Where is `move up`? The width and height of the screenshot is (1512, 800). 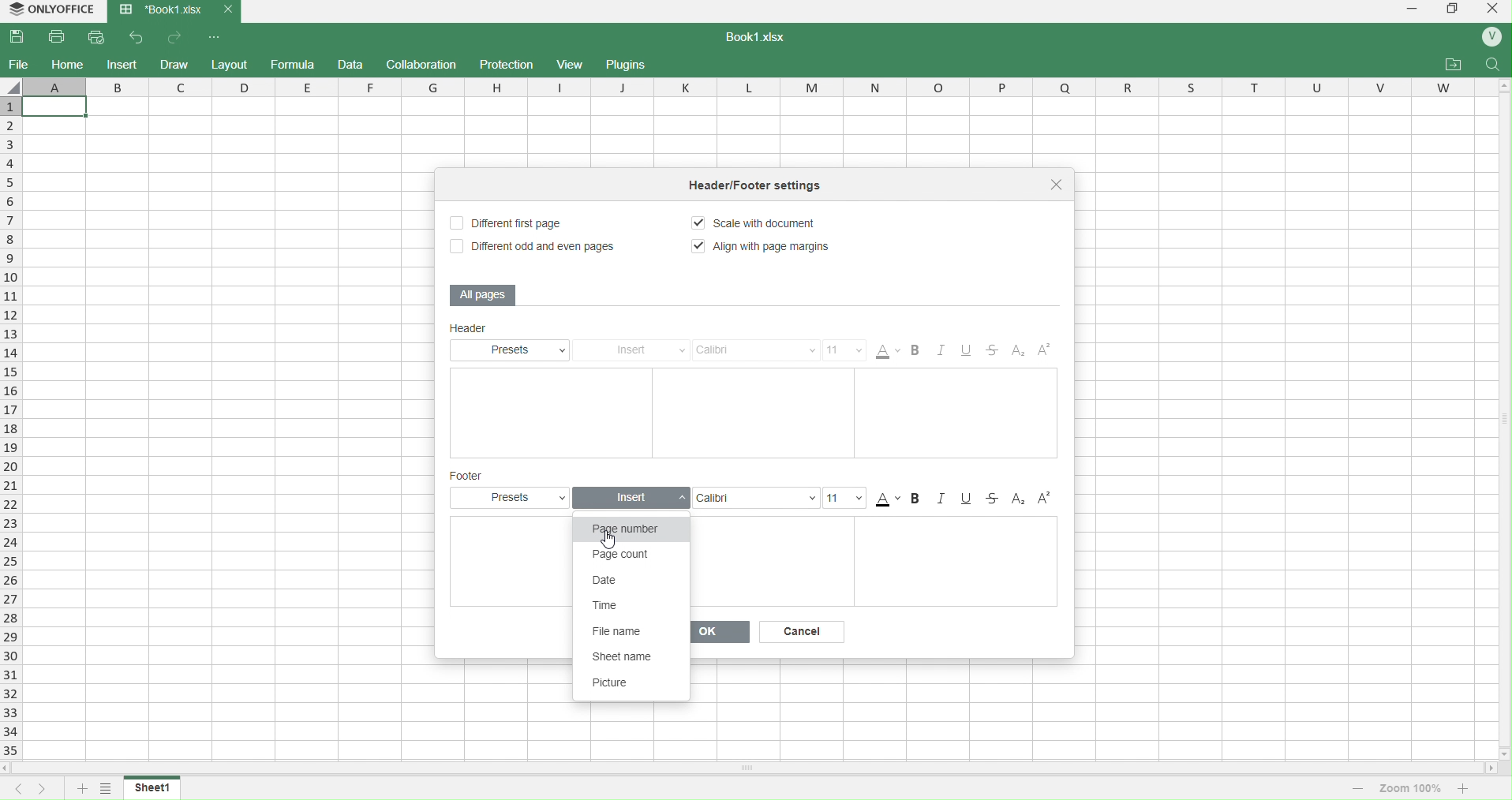 move up is located at coordinates (1503, 88).